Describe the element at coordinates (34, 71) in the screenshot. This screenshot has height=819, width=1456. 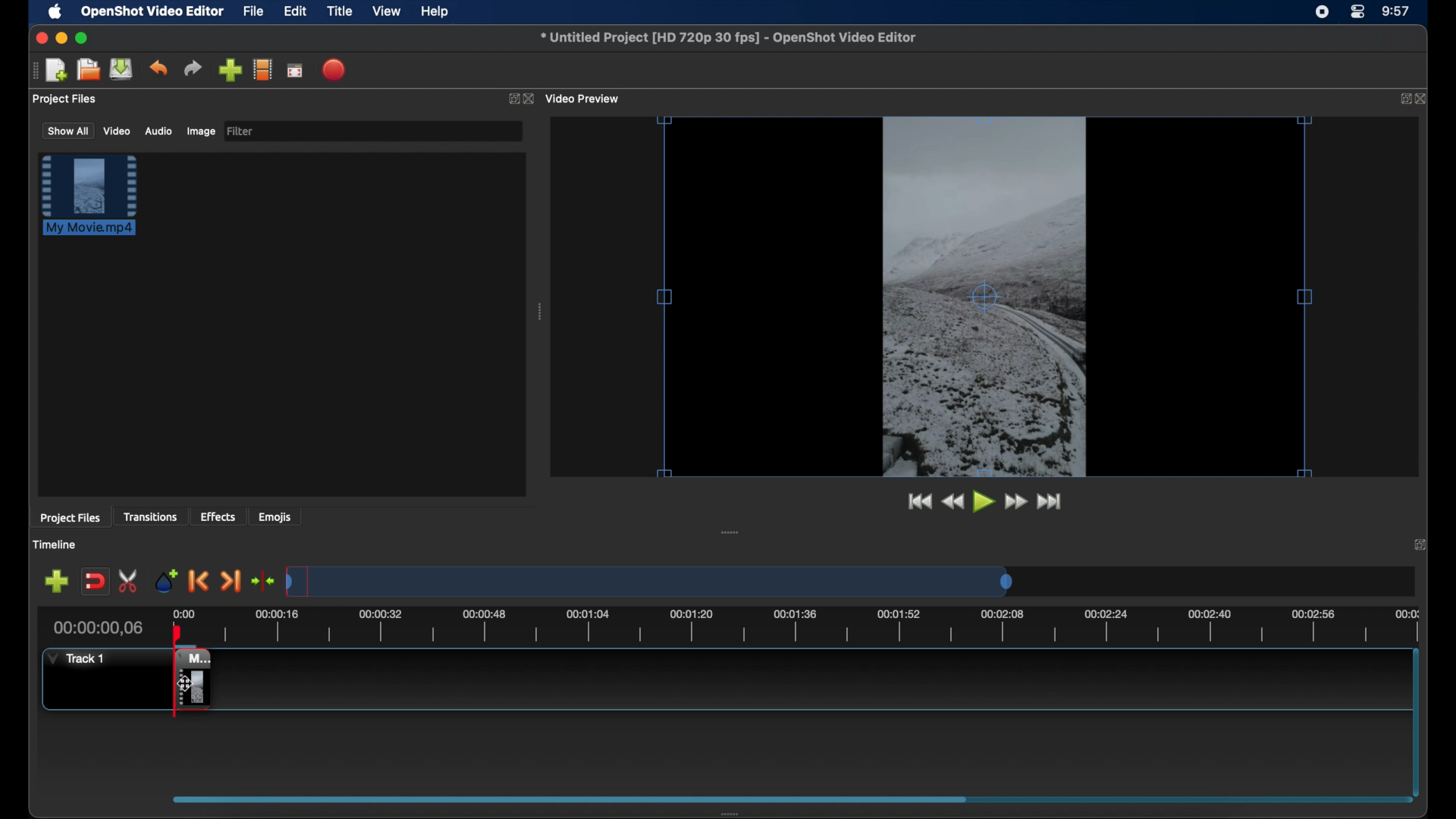
I see `drag handle` at that location.